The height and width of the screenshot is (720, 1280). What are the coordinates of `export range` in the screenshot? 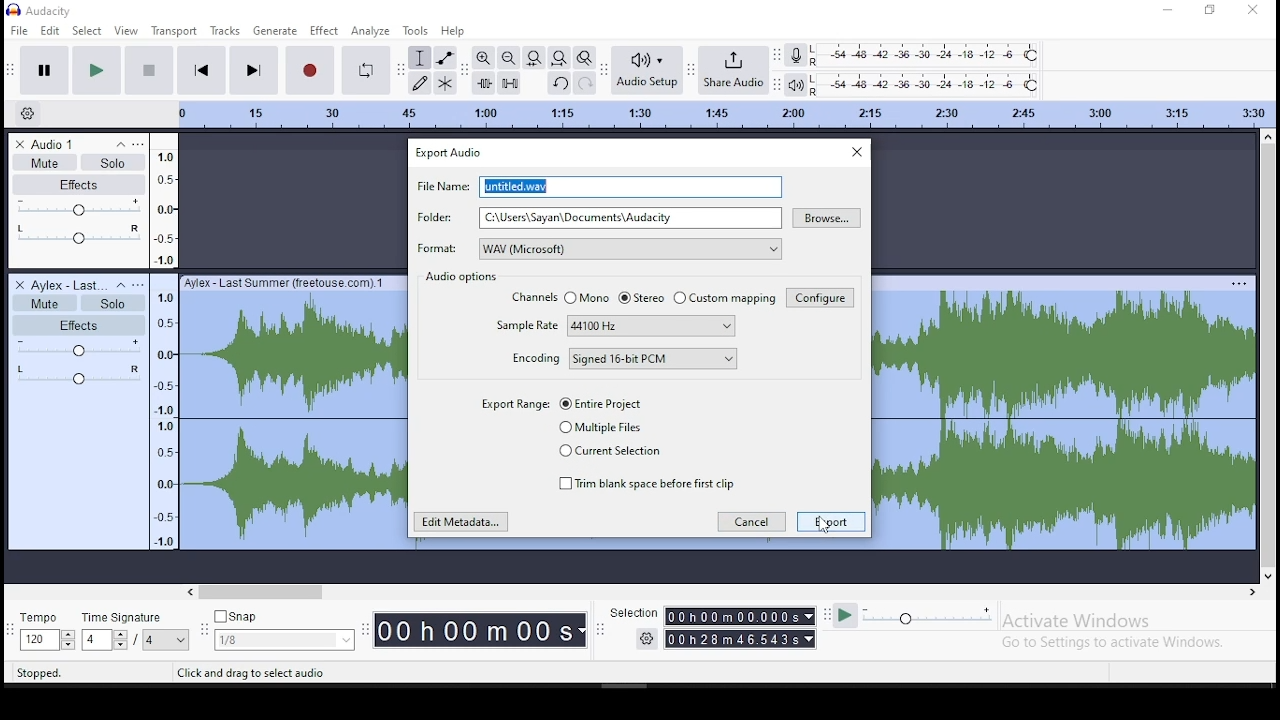 It's located at (514, 404).